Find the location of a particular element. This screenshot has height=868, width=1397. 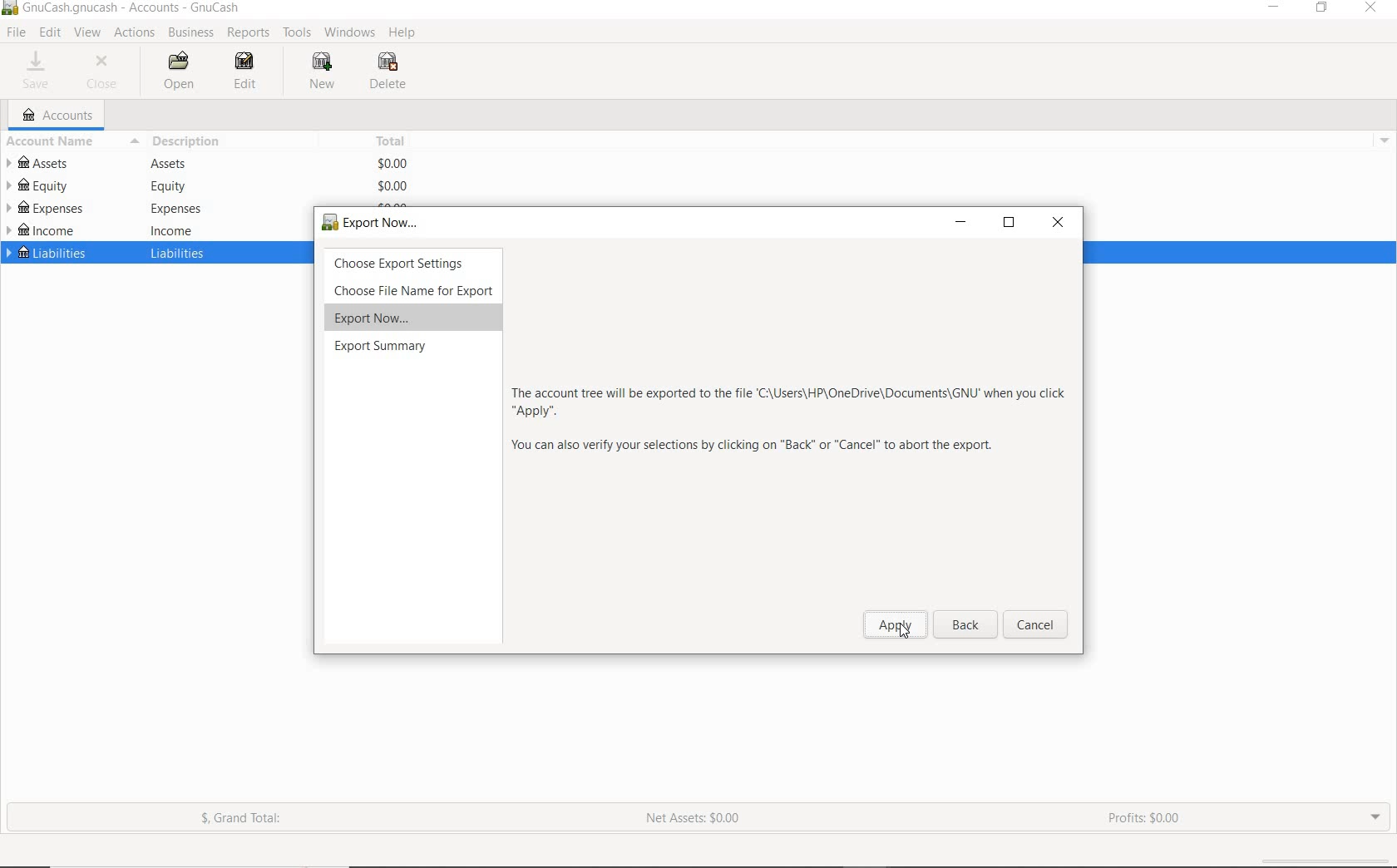

cursor is located at coordinates (906, 633).